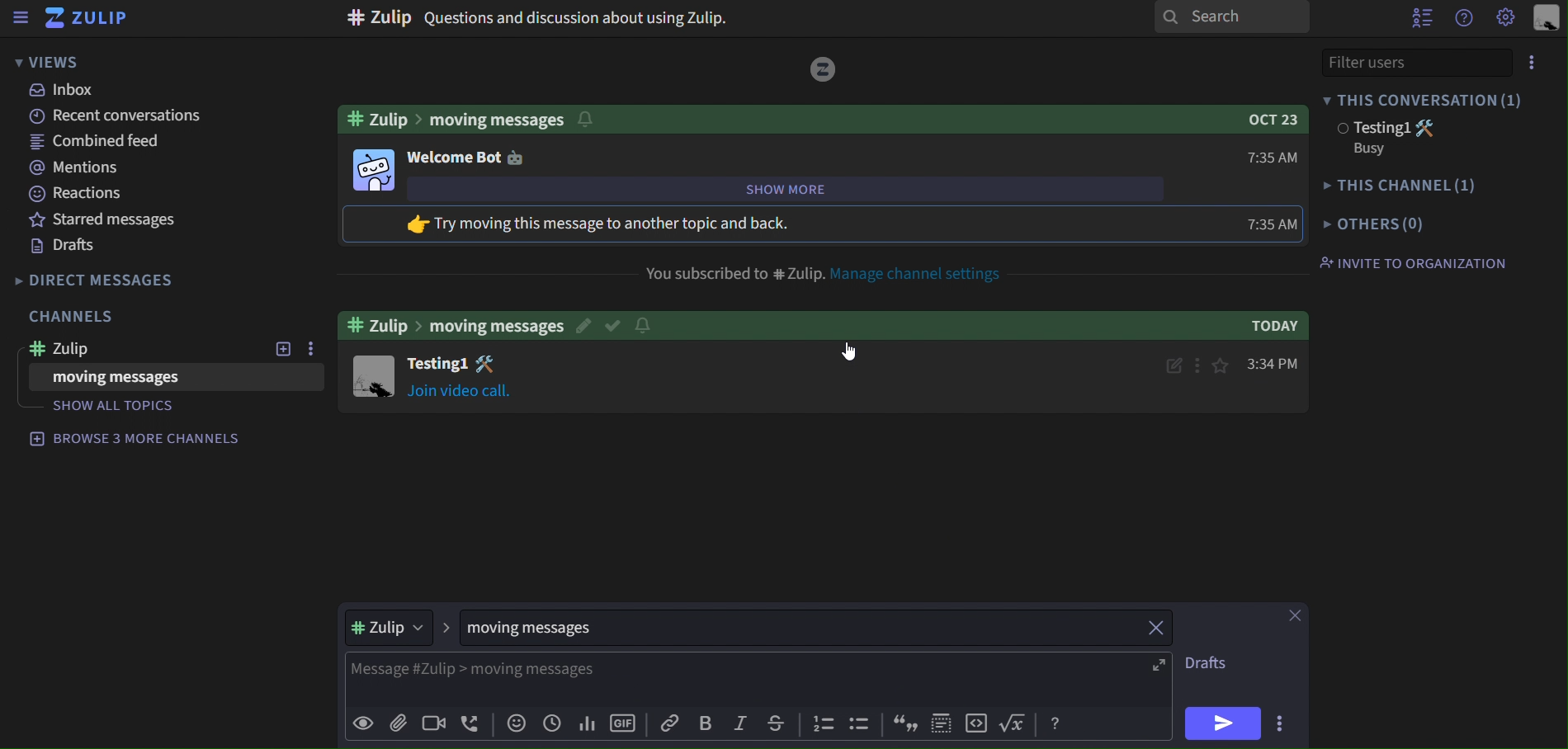 Image resolution: width=1568 pixels, height=749 pixels. I want to click on add gif, so click(623, 725).